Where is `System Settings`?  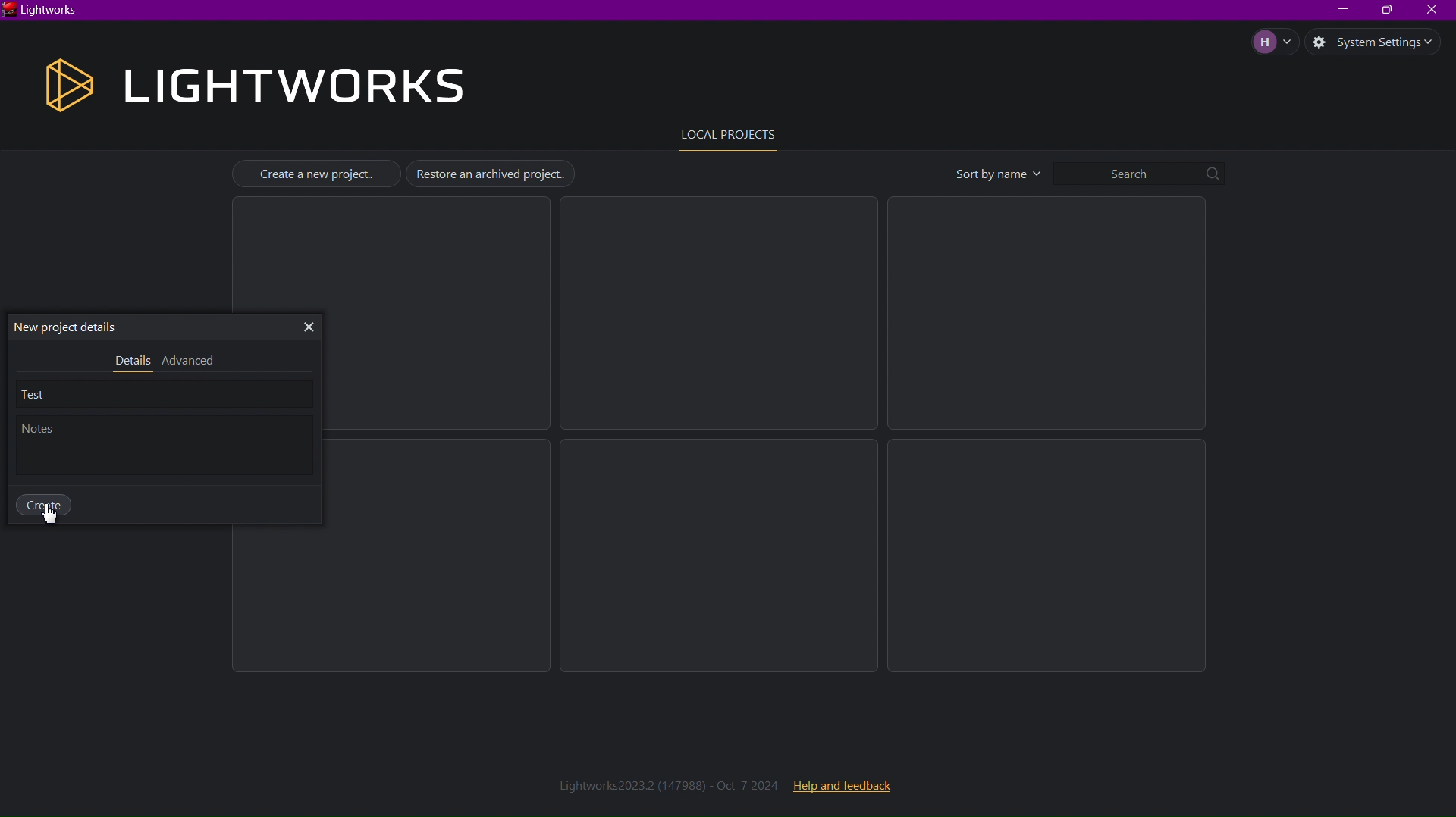
System Settings is located at coordinates (1382, 42).